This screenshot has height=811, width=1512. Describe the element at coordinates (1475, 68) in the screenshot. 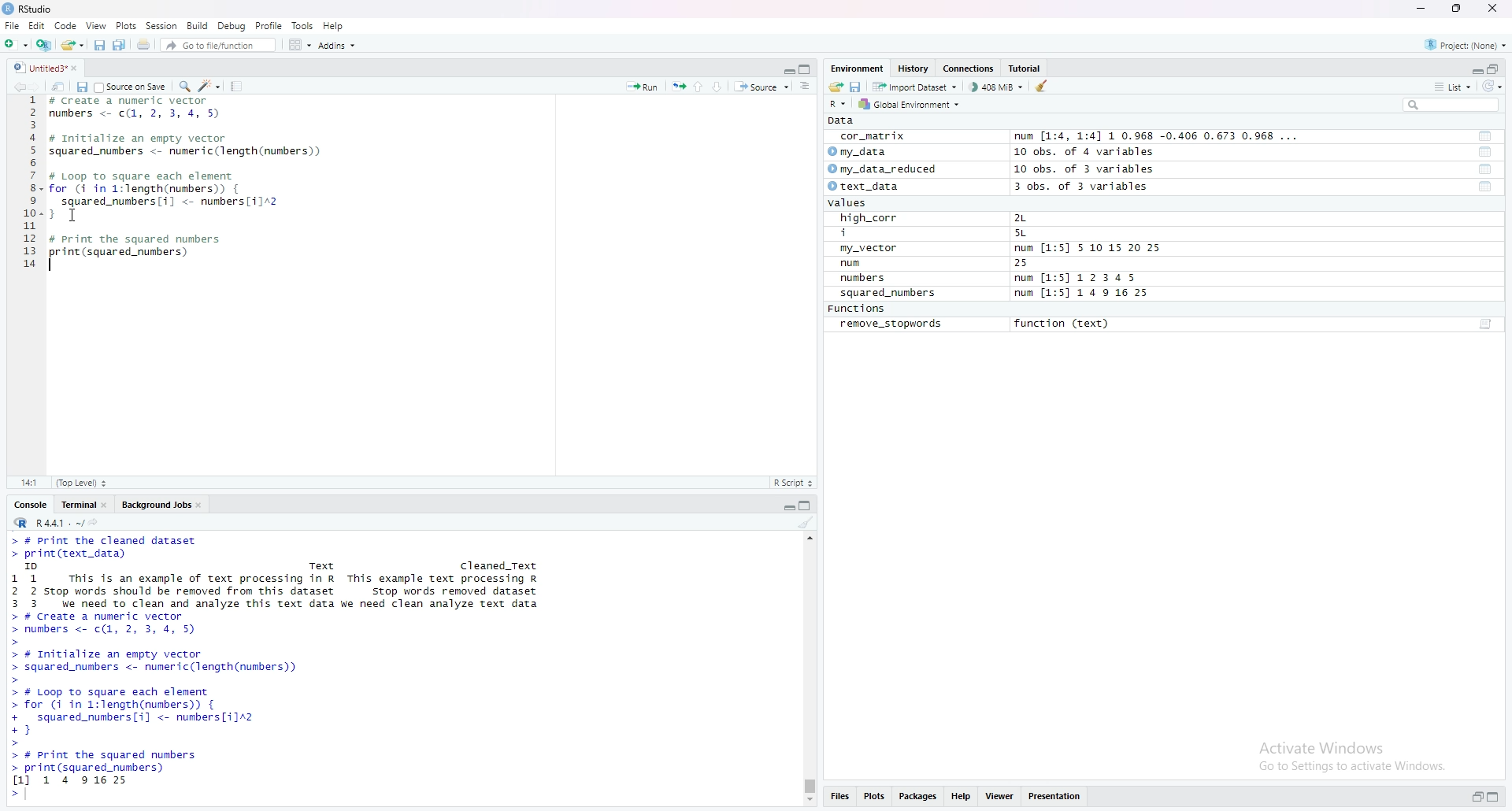

I see `minimize` at that location.